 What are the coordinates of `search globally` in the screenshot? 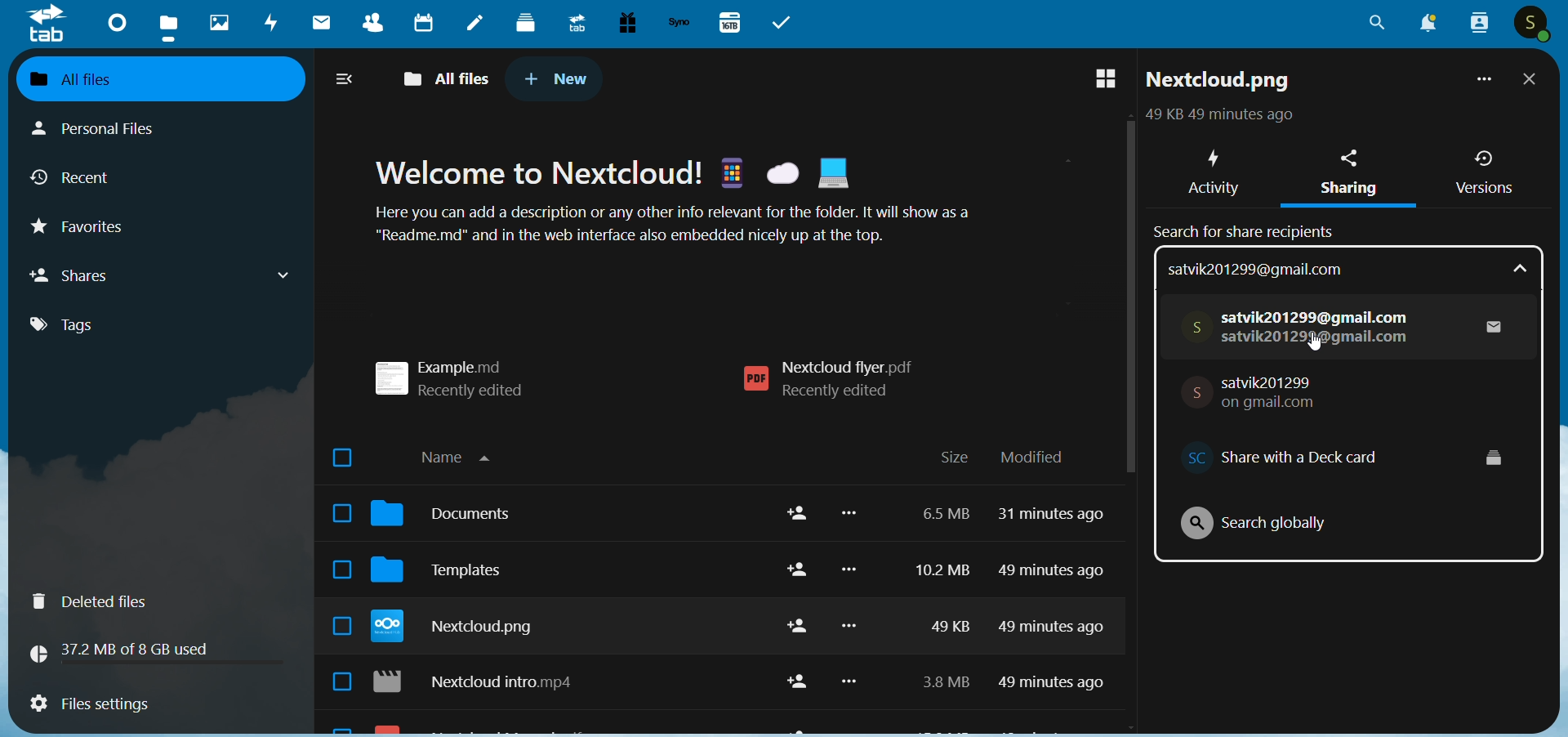 It's located at (1263, 520).